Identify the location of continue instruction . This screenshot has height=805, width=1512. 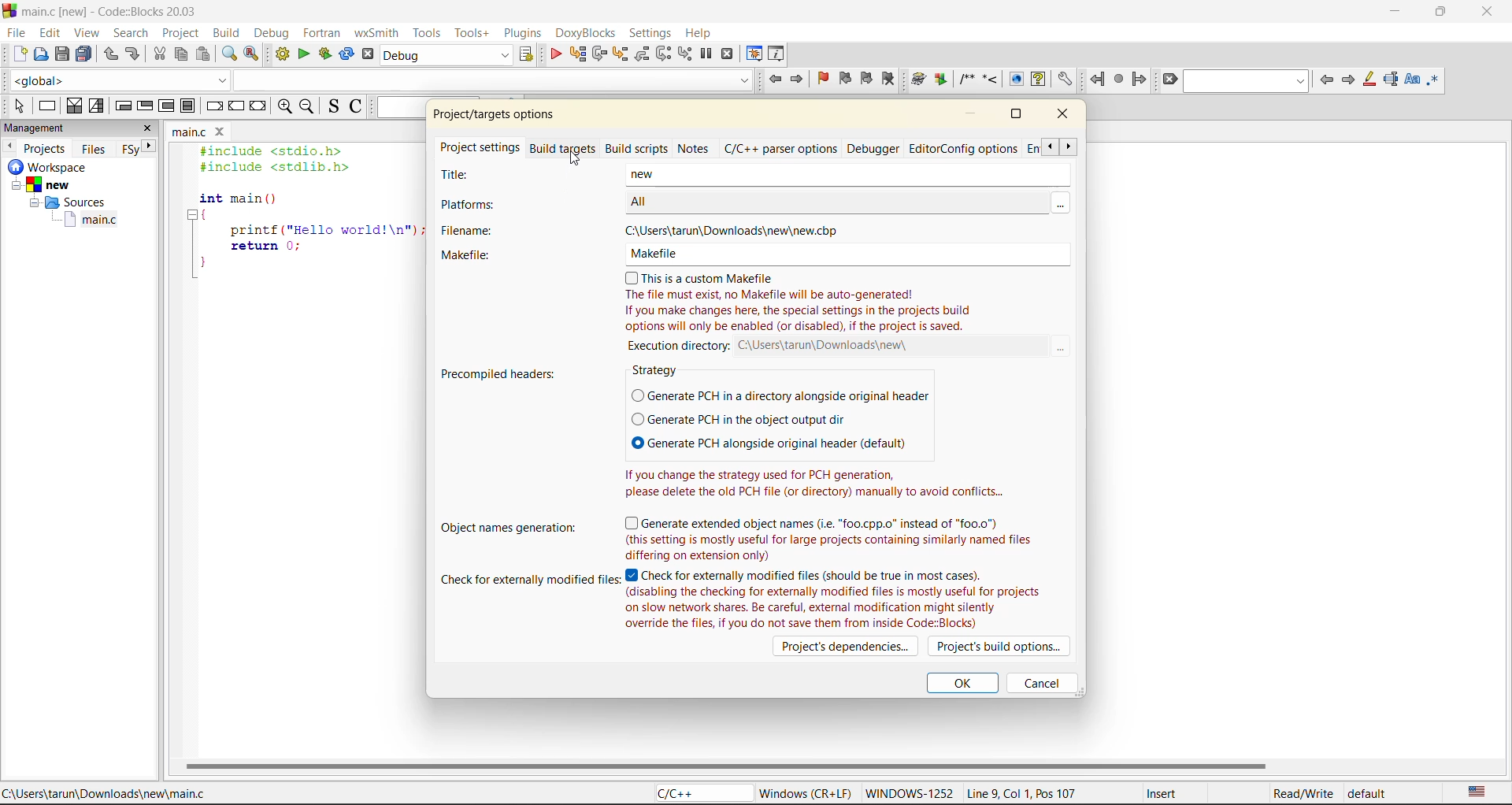
(236, 107).